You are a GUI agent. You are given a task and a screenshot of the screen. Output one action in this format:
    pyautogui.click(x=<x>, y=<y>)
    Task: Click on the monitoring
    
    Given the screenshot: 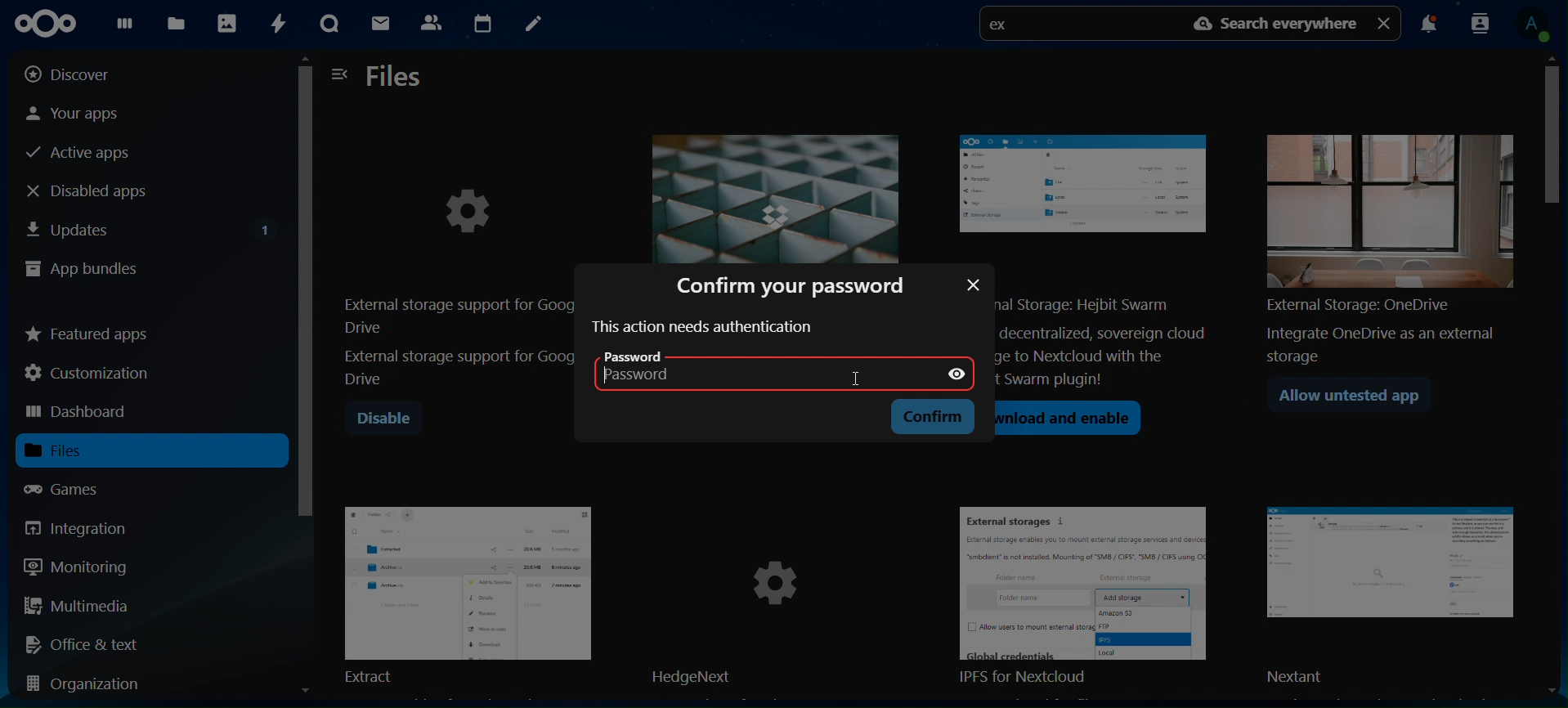 What is the action you would take?
    pyautogui.click(x=77, y=566)
    